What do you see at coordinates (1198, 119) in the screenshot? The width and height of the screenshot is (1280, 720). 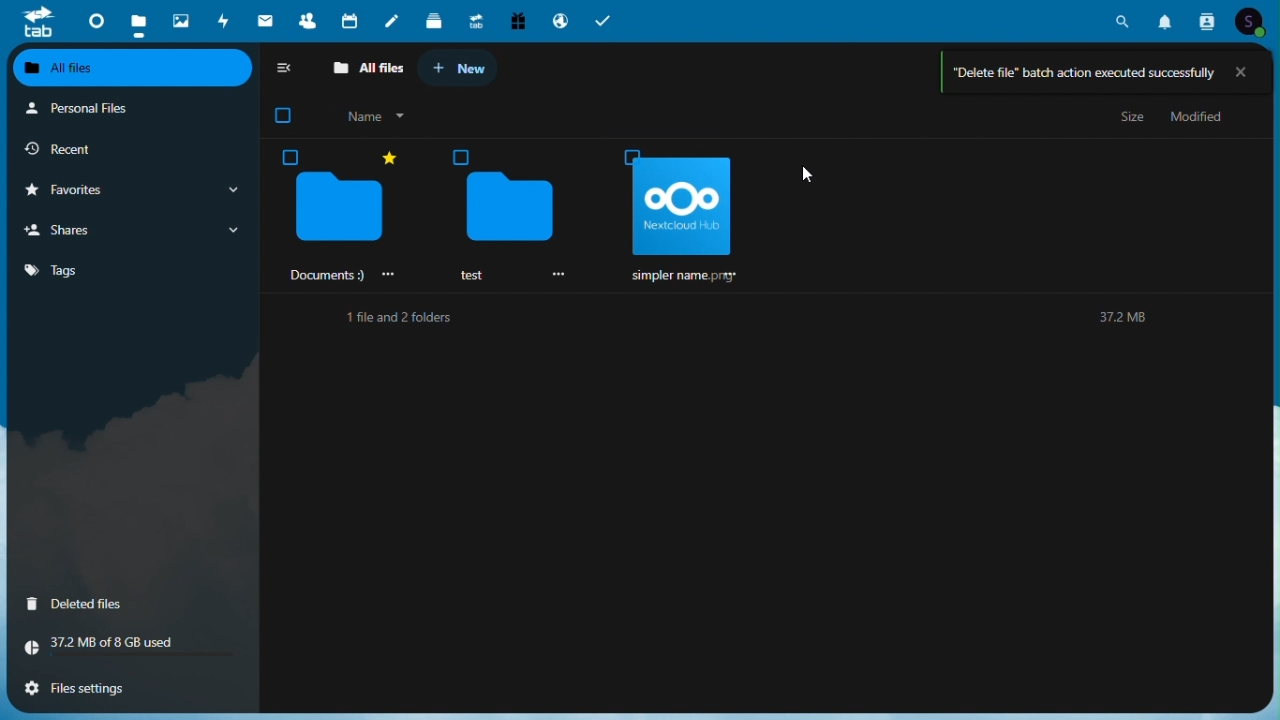 I see `Modified` at bounding box center [1198, 119].